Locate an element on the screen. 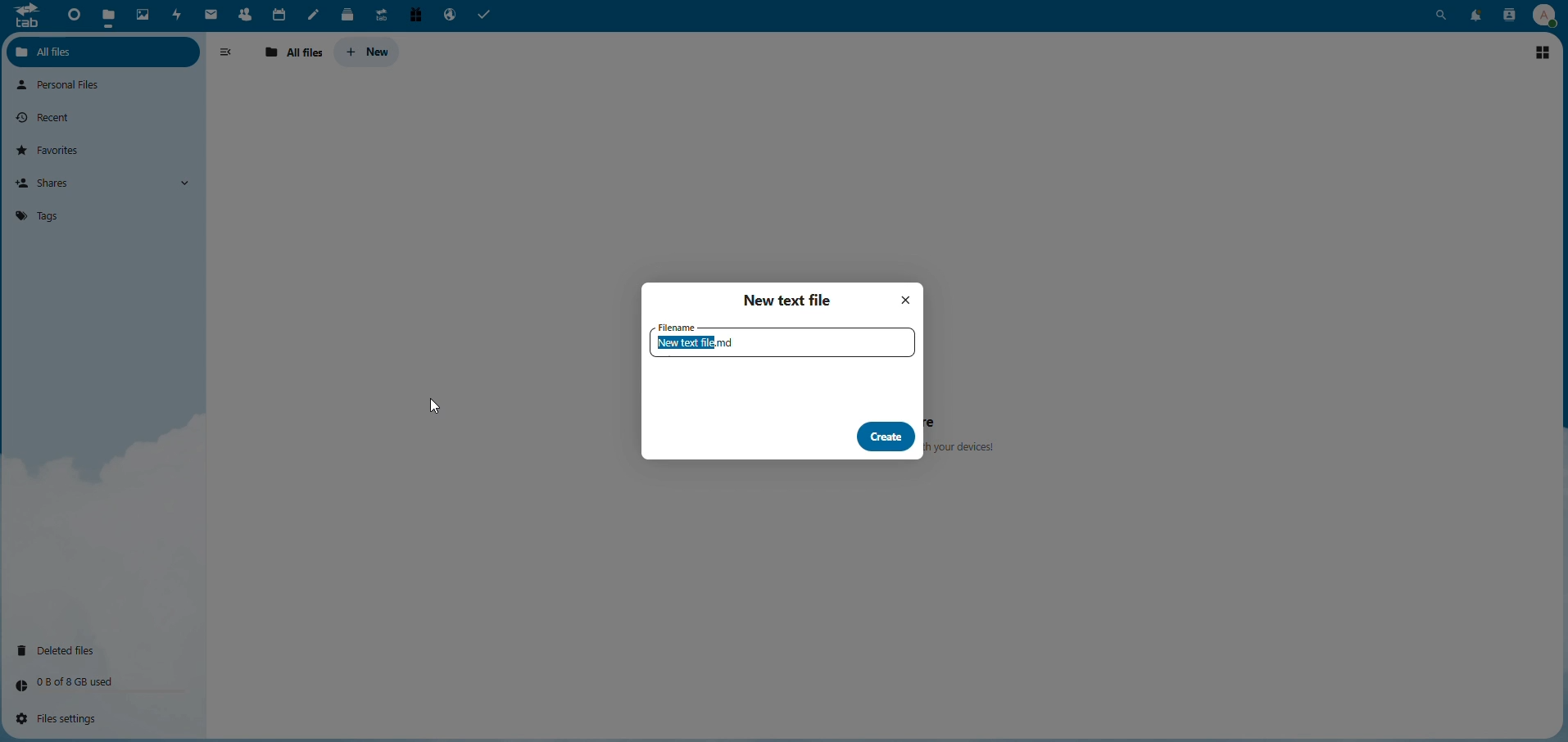  Tags is located at coordinates (37, 215).